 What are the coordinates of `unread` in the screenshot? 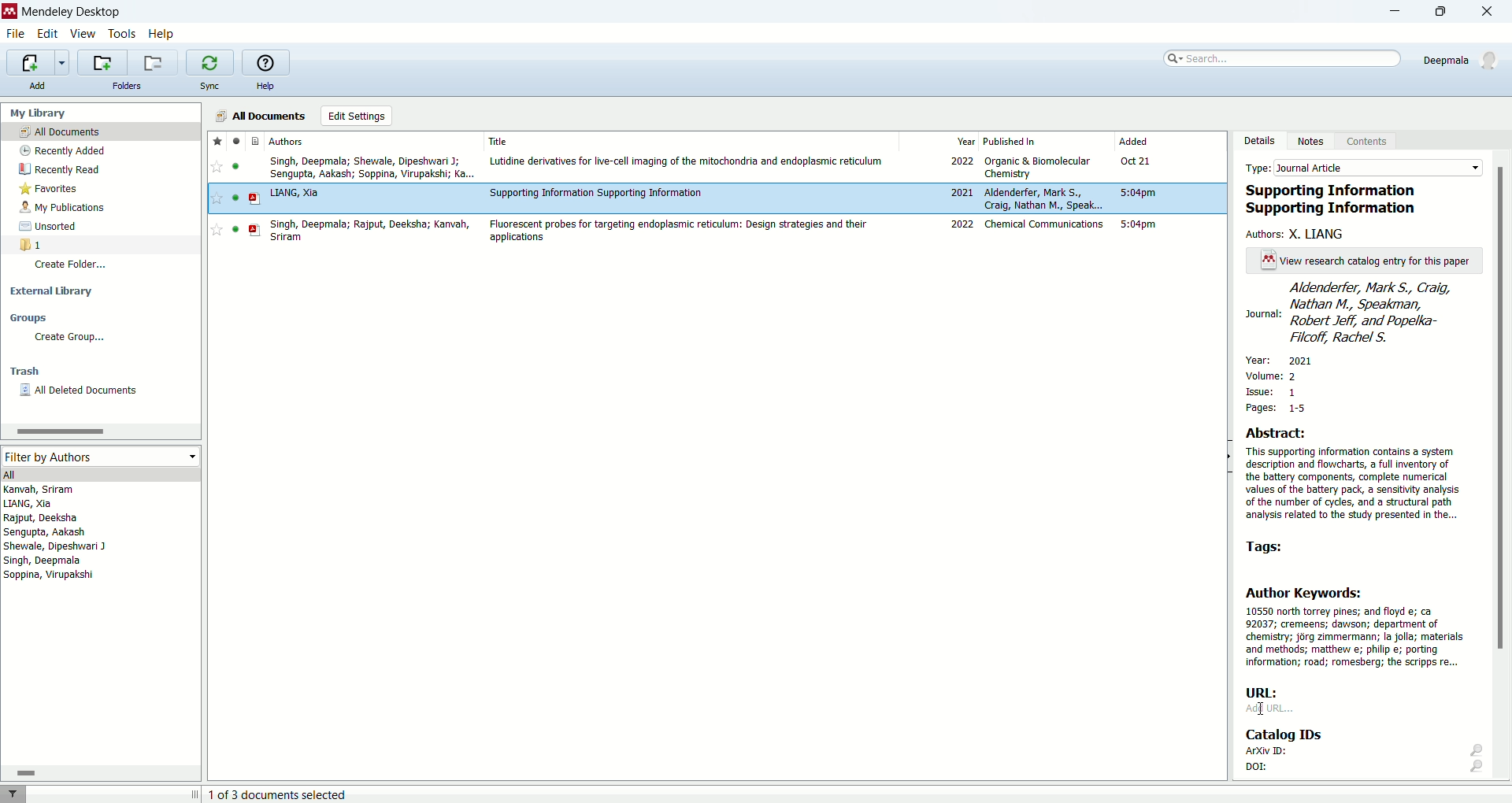 It's located at (235, 229).